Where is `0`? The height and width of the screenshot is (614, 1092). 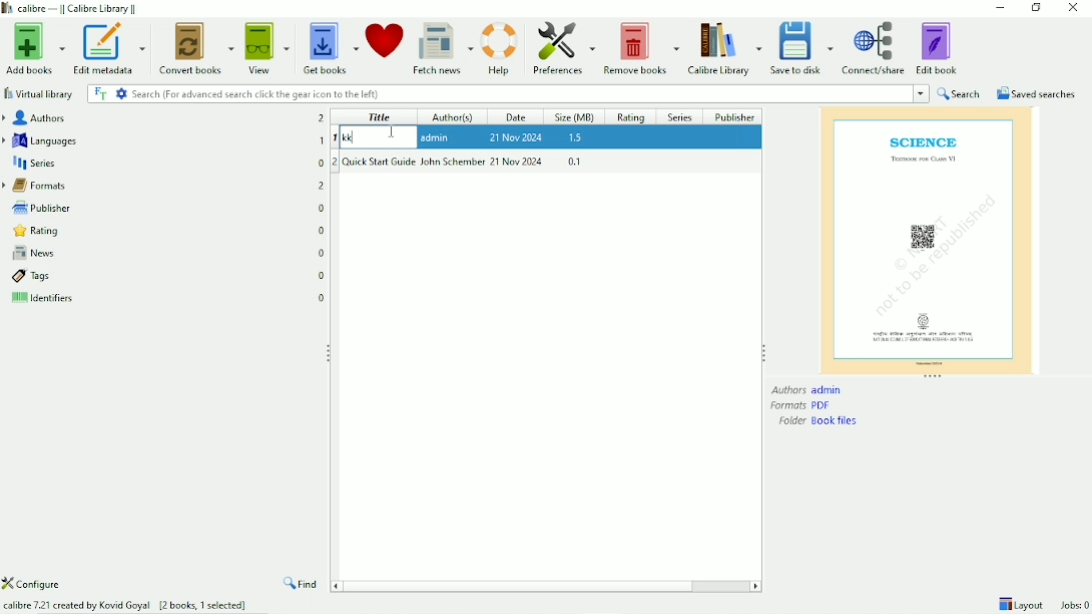 0 is located at coordinates (322, 253).